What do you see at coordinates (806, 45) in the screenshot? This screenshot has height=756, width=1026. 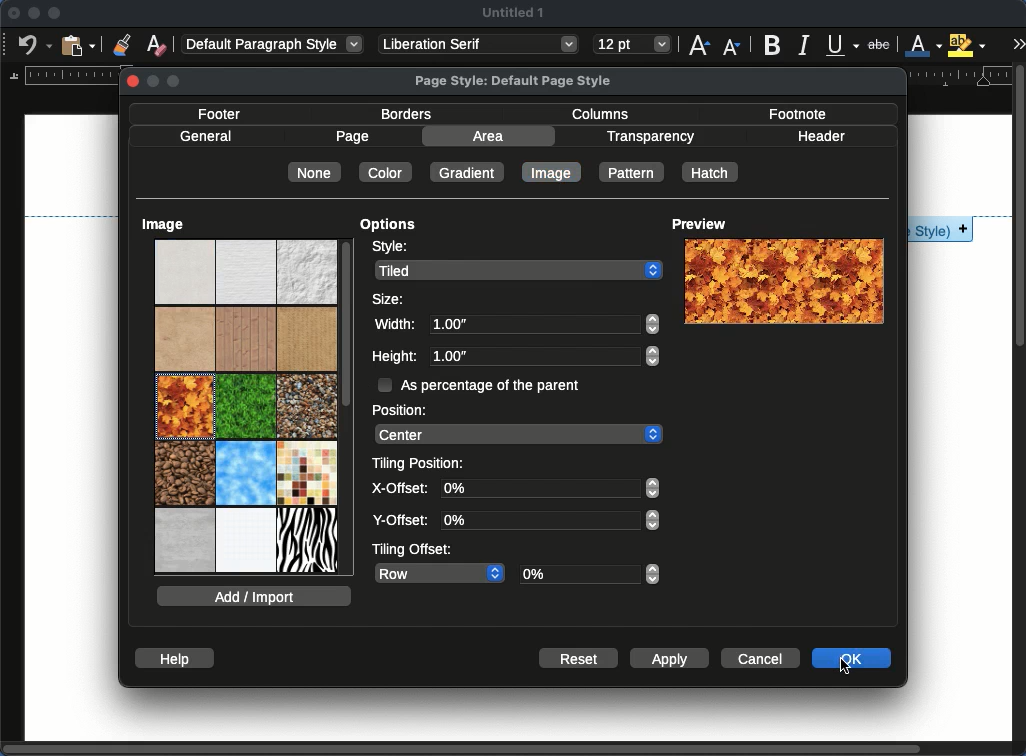 I see `italics` at bounding box center [806, 45].